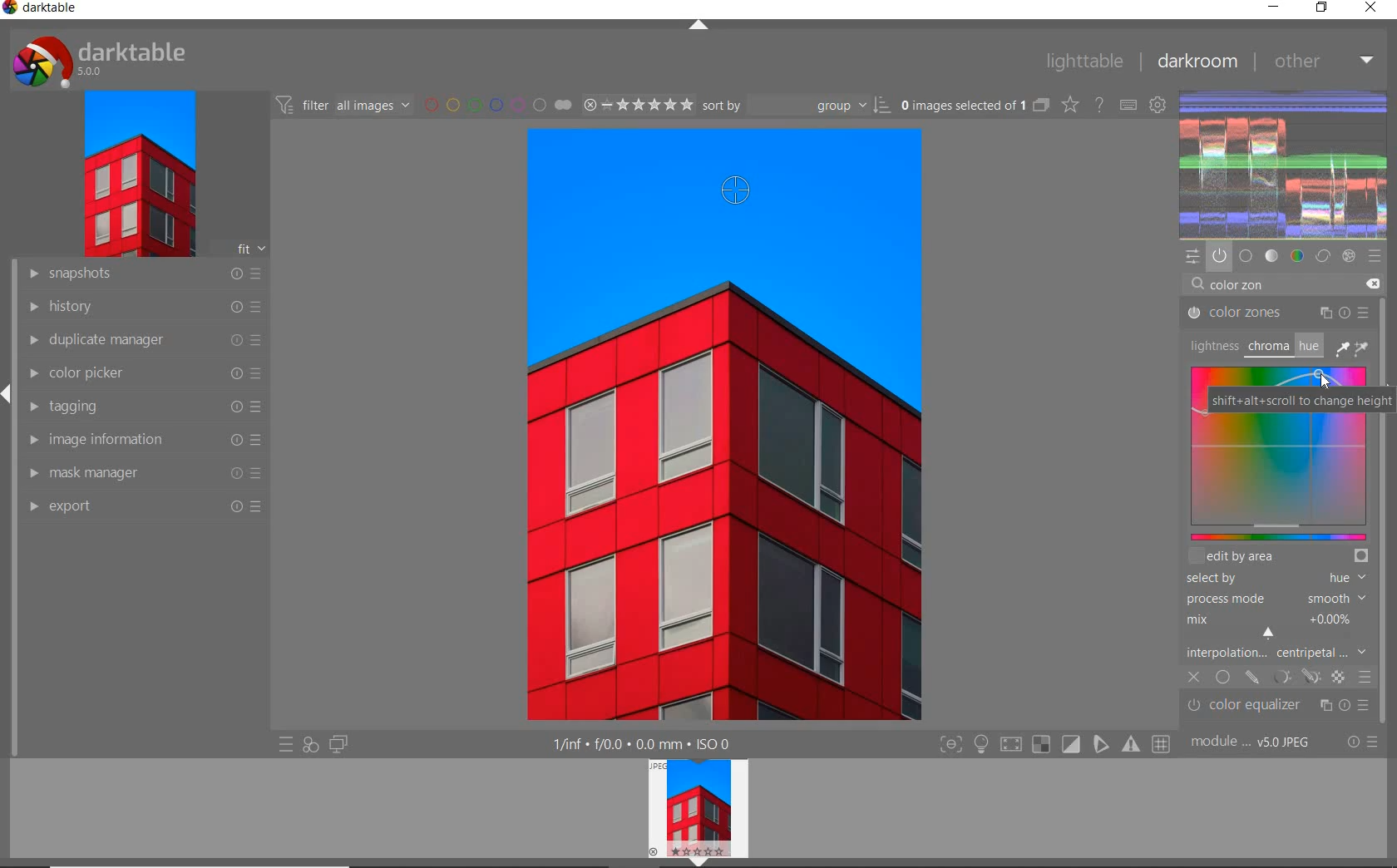 Image resolution: width=1397 pixels, height=868 pixels. Describe the element at coordinates (1246, 254) in the screenshot. I see `base` at that location.